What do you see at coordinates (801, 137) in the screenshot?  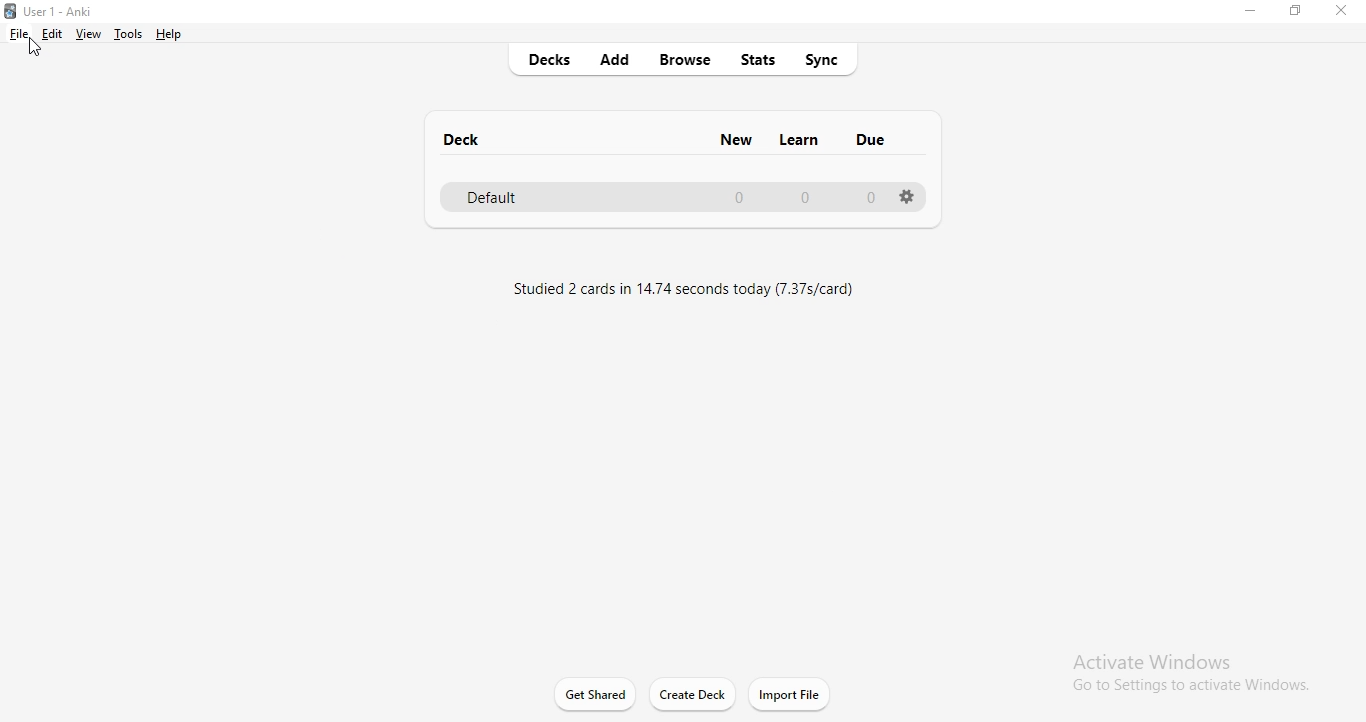 I see `learn` at bounding box center [801, 137].